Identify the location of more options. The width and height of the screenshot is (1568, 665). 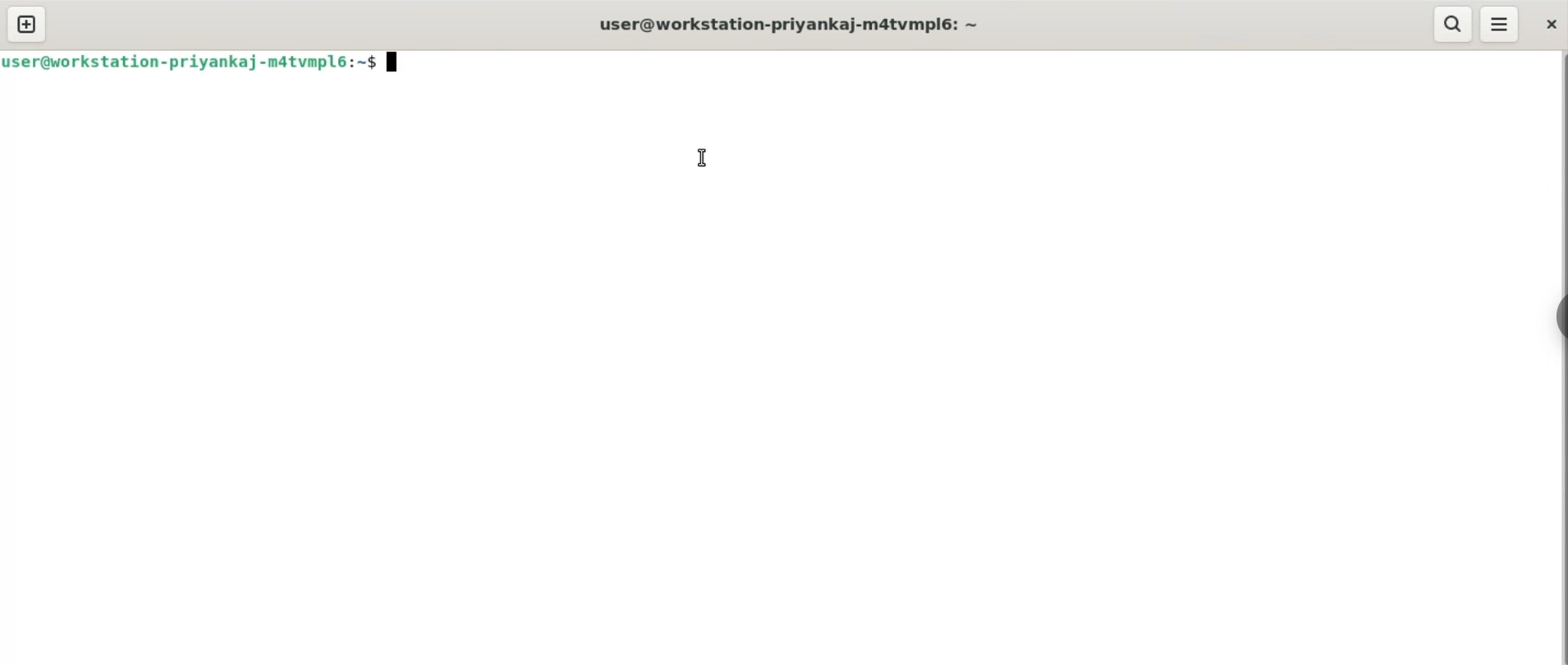
(1499, 25).